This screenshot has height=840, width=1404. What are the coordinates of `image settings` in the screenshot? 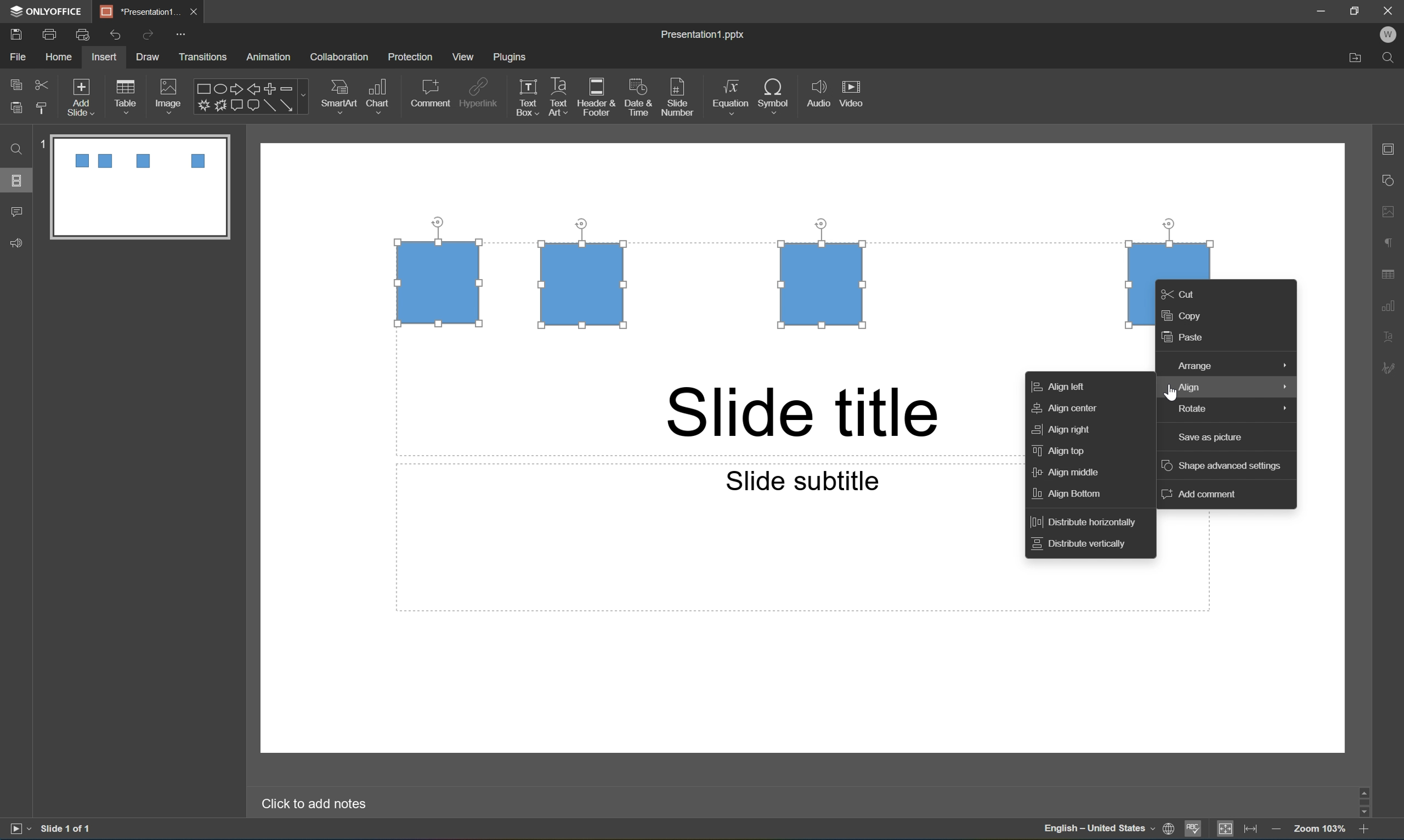 It's located at (1393, 213).